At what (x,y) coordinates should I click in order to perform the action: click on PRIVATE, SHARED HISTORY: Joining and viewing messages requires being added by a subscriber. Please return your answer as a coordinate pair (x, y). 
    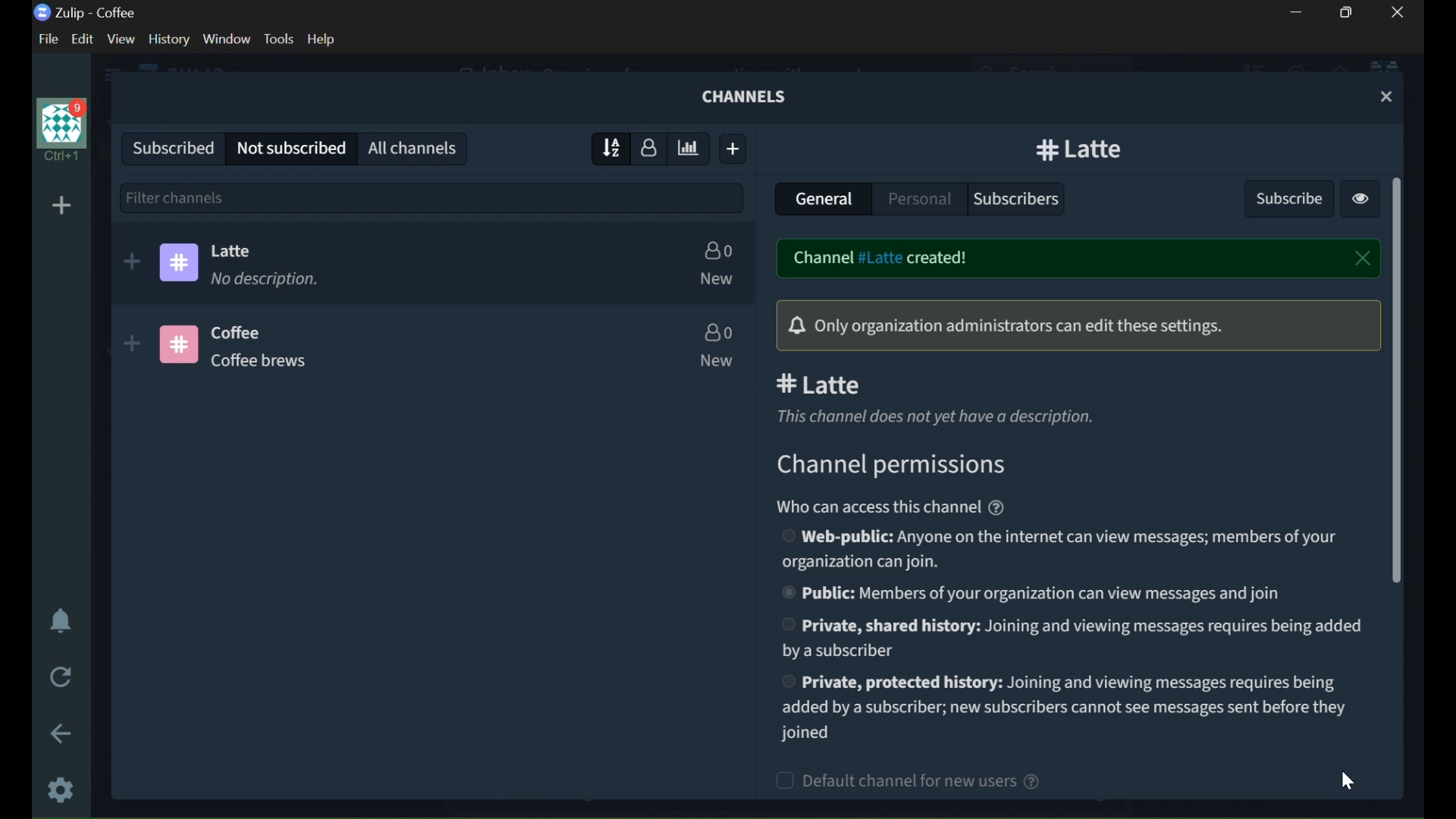
    Looking at the image, I should click on (1071, 639).